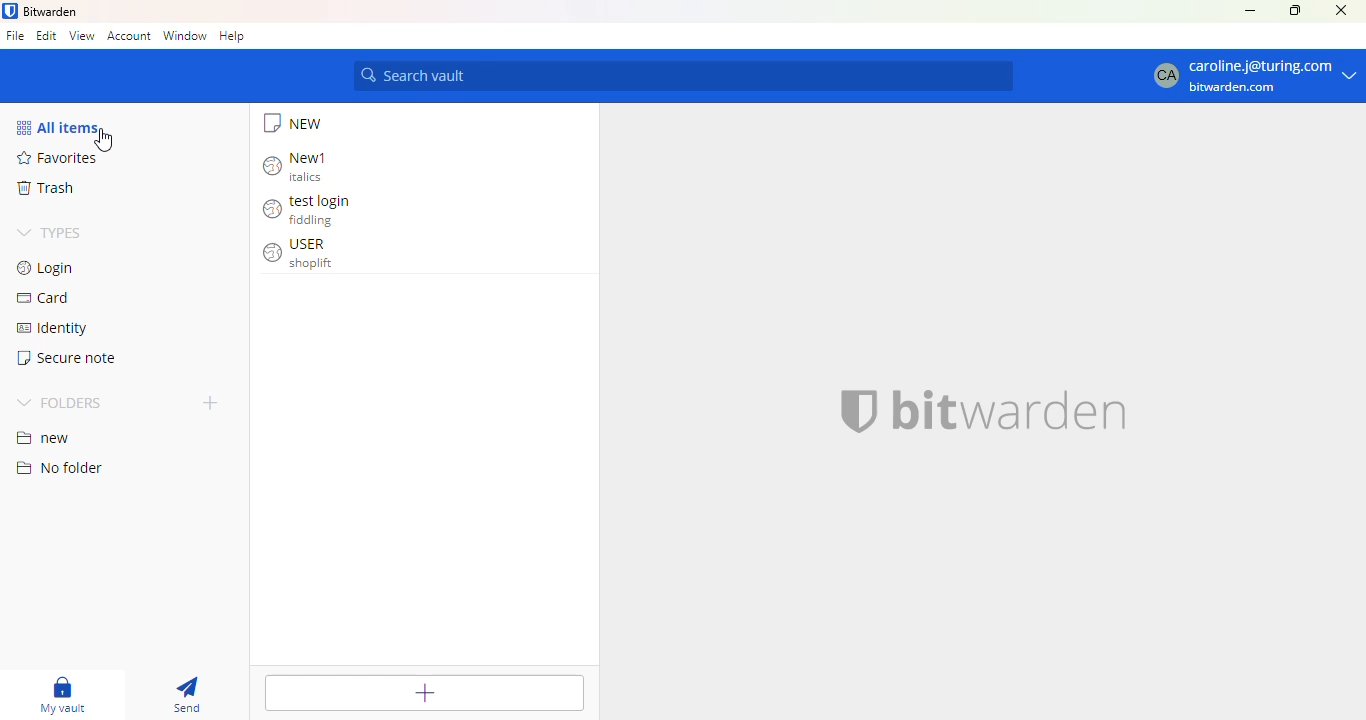  What do you see at coordinates (46, 36) in the screenshot?
I see `edit` at bounding box center [46, 36].